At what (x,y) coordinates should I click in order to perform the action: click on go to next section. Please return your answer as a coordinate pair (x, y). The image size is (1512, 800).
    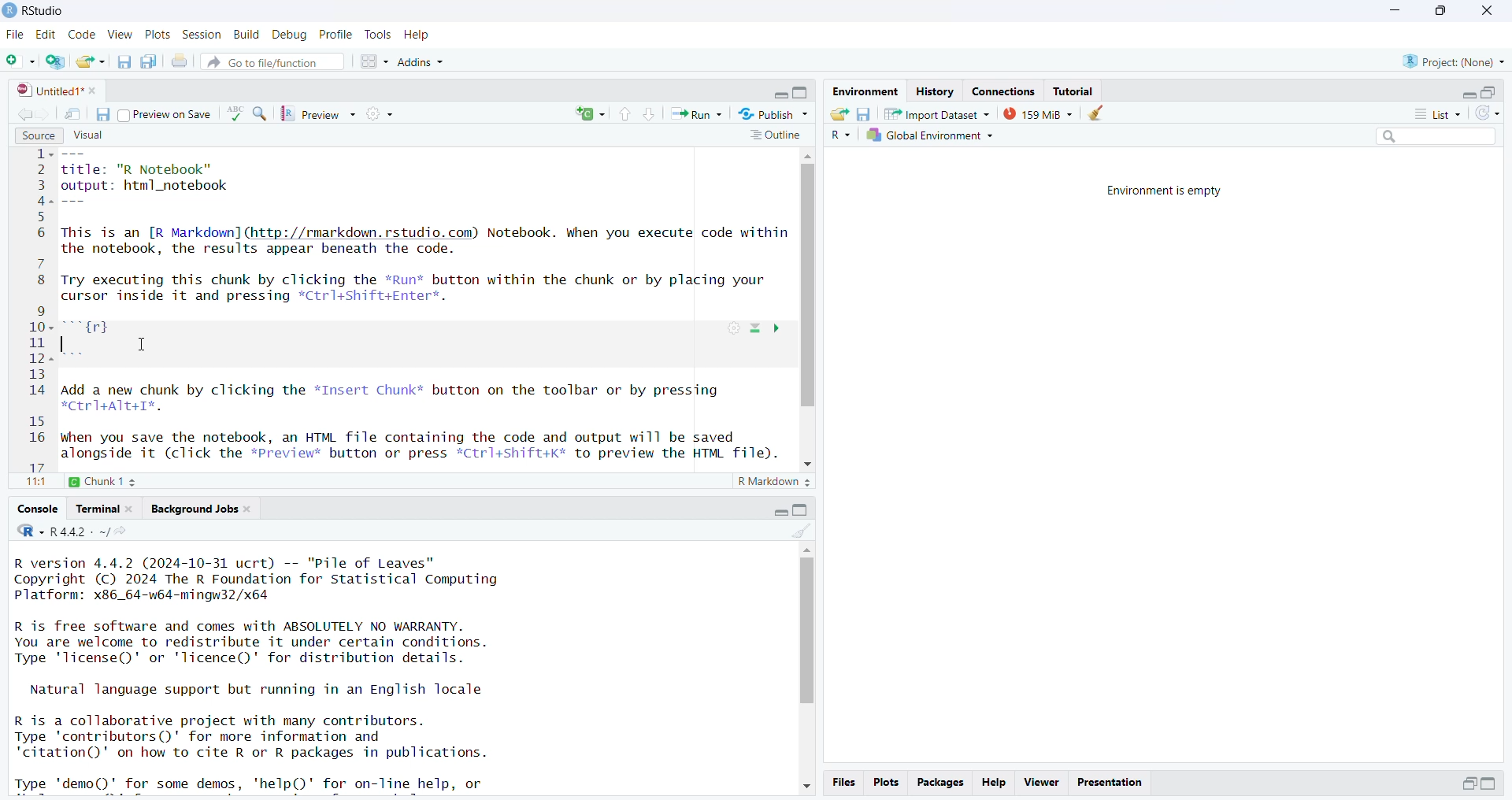
    Looking at the image, I should click on (651, 116).